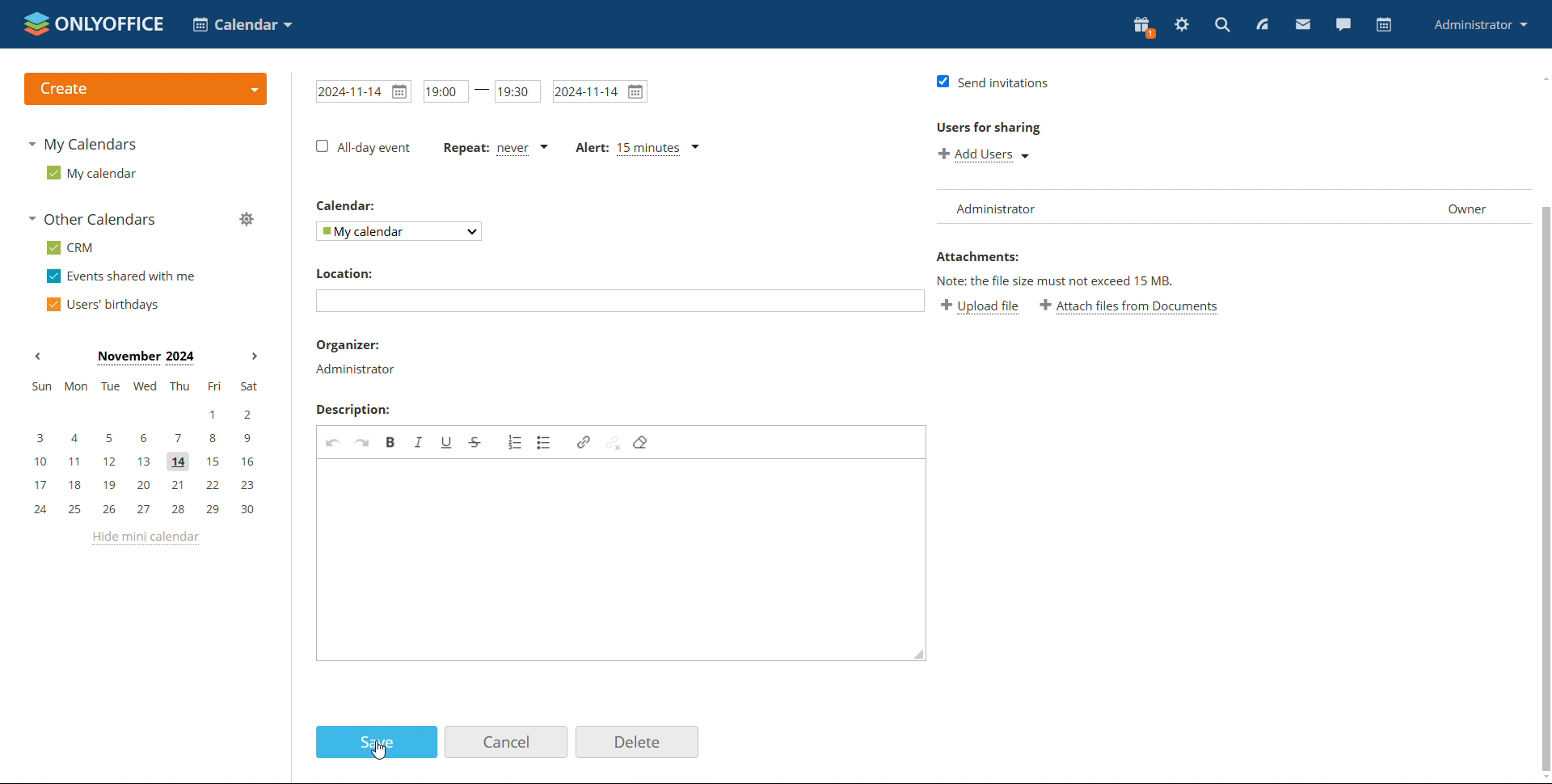 Image resolution: width=1552 pixels, height=784 pixels. What do you see at coordinates (1221, 25) in the screenshot?
I see `search` at bounding box center [1221, 25].